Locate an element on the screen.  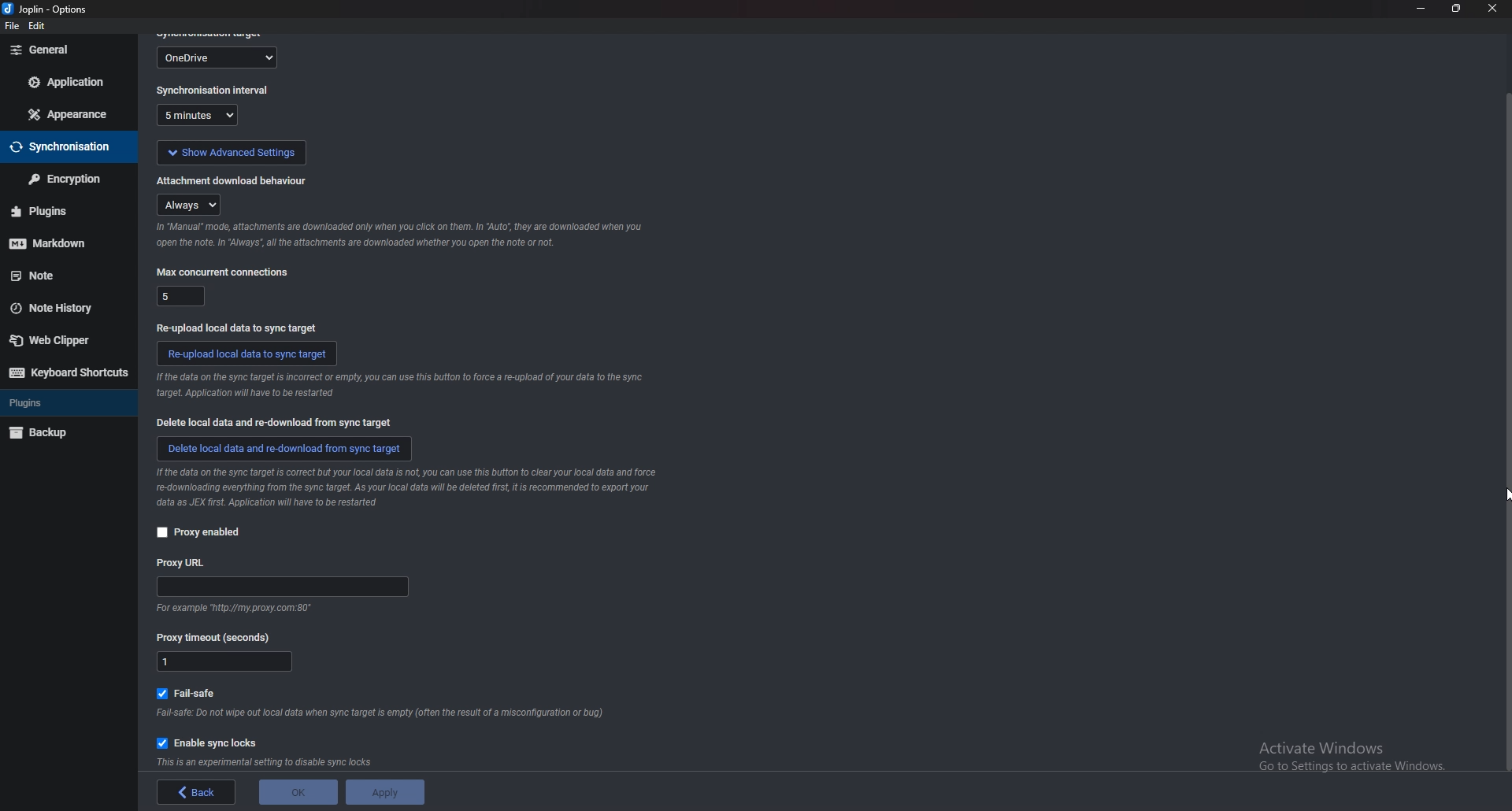
reupload local data is located at coordinates (248, 353).